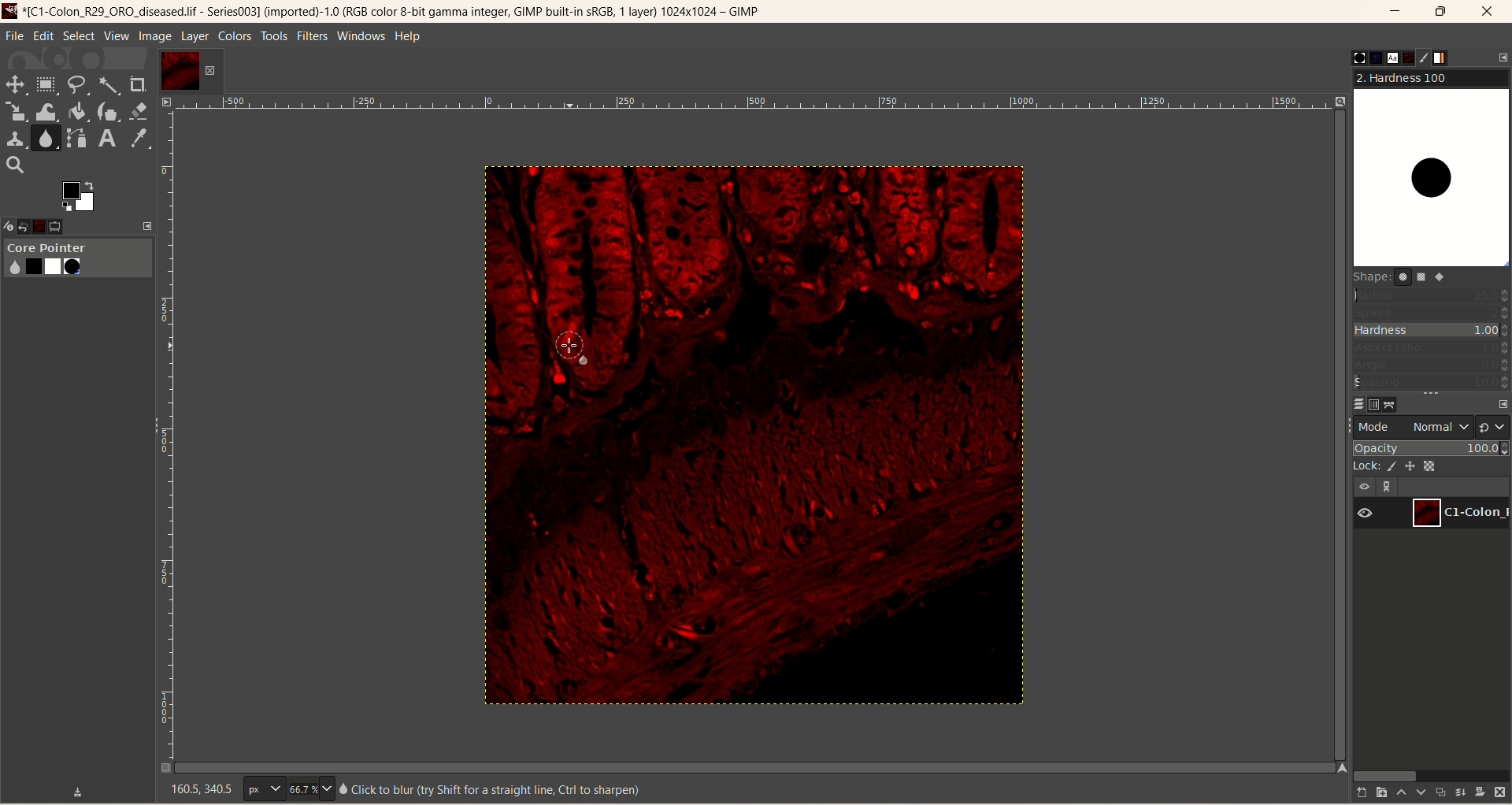  What do you see at coordinates (1480, 791) in the screenshot?
I see `add a mask` at bounding box center [1480, 791].